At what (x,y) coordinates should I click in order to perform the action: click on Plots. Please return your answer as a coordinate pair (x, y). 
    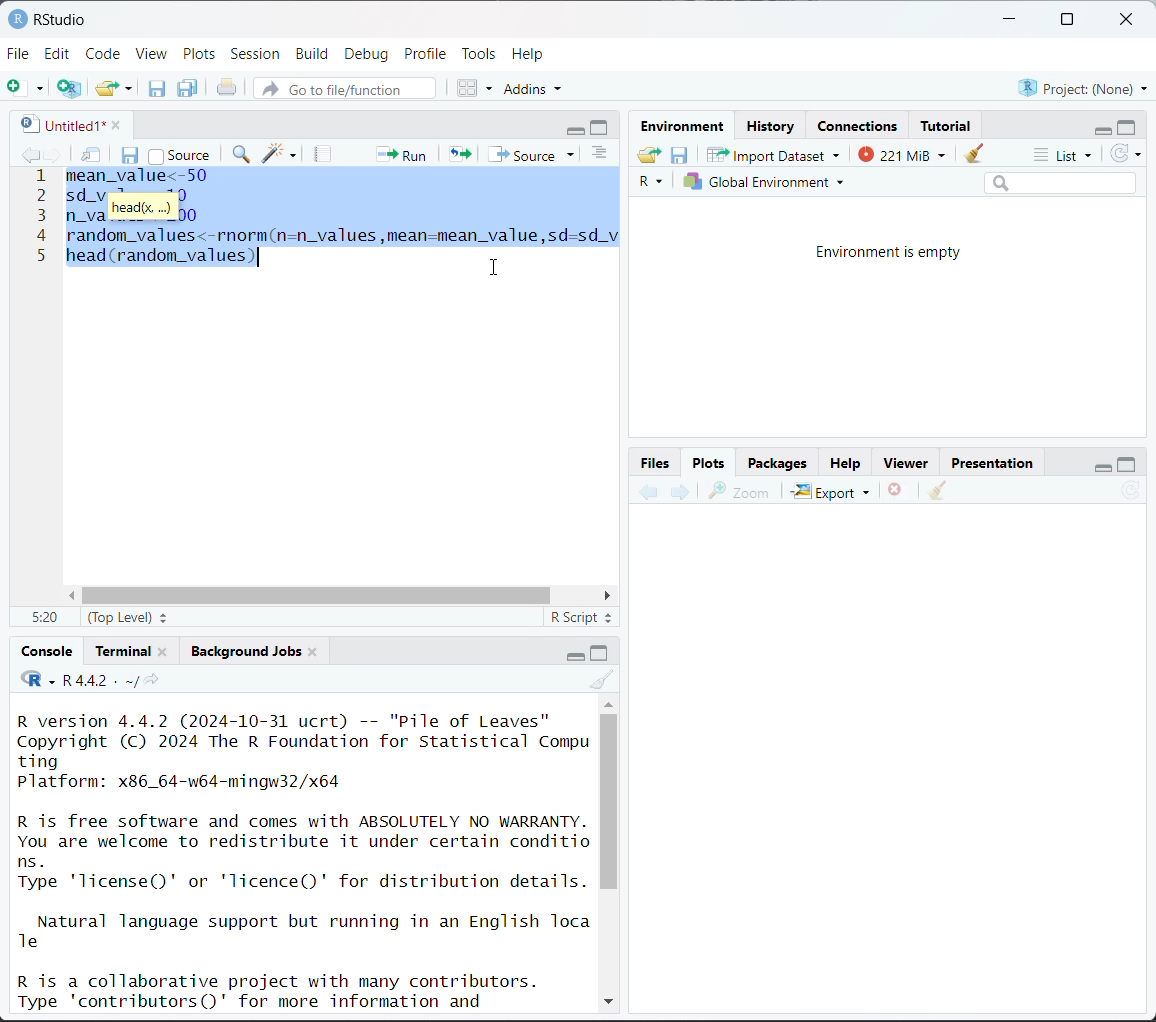
    Looking at the image, I should click on (200, 53).